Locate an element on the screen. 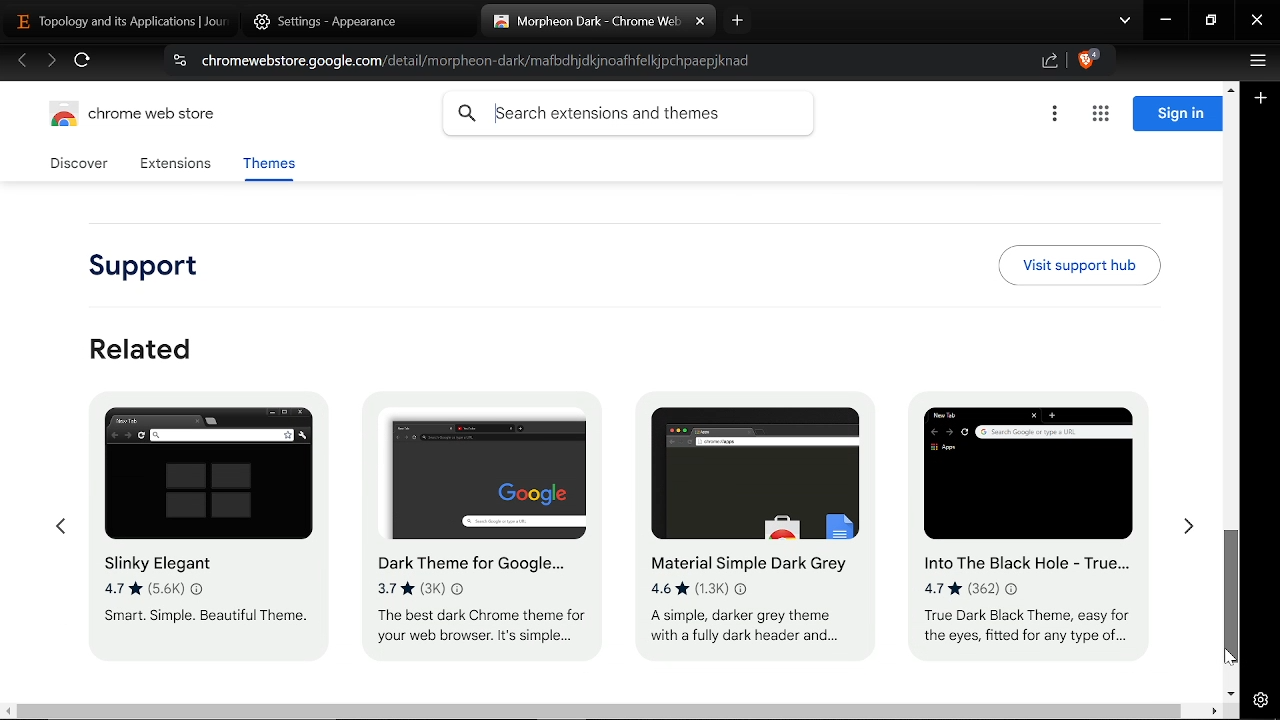 The width and height of the screenshot is (1280, 720). Go right is located at coordinates (1188, 532).